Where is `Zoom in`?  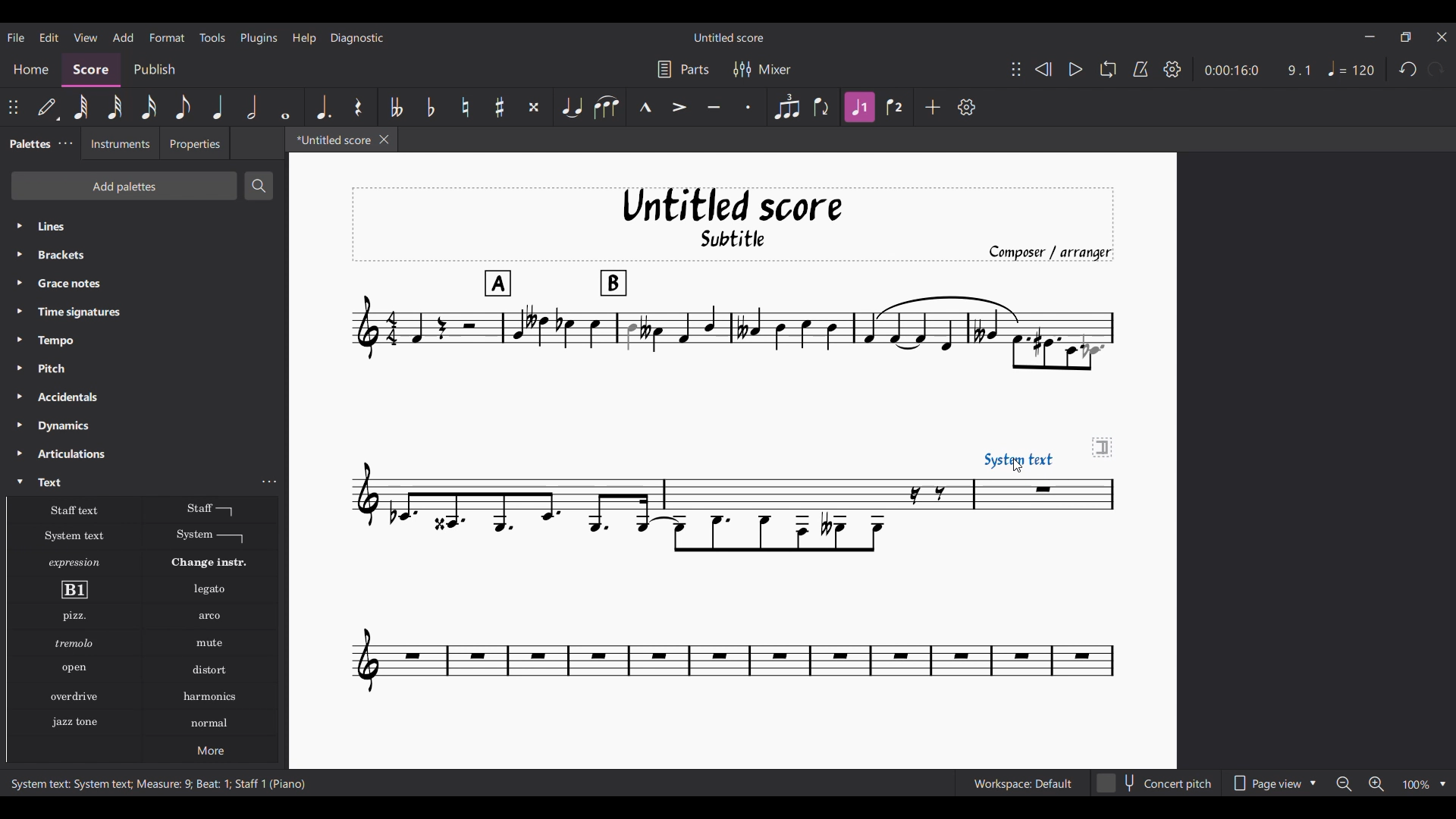
Zoom in is located at coordinates (1376, 783).